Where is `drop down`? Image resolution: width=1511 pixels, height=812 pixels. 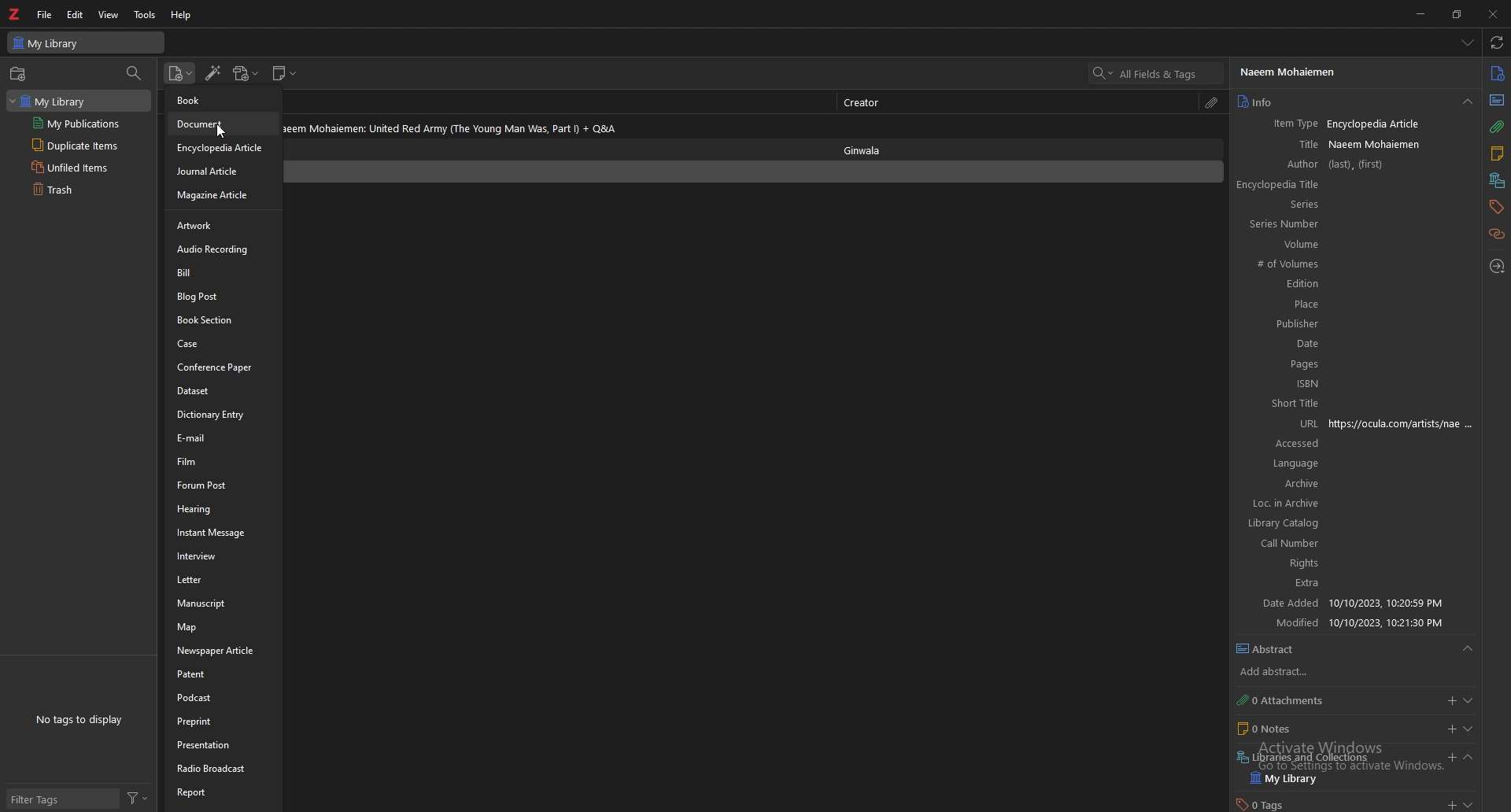
drop down is located at coordinates (1467, 42).